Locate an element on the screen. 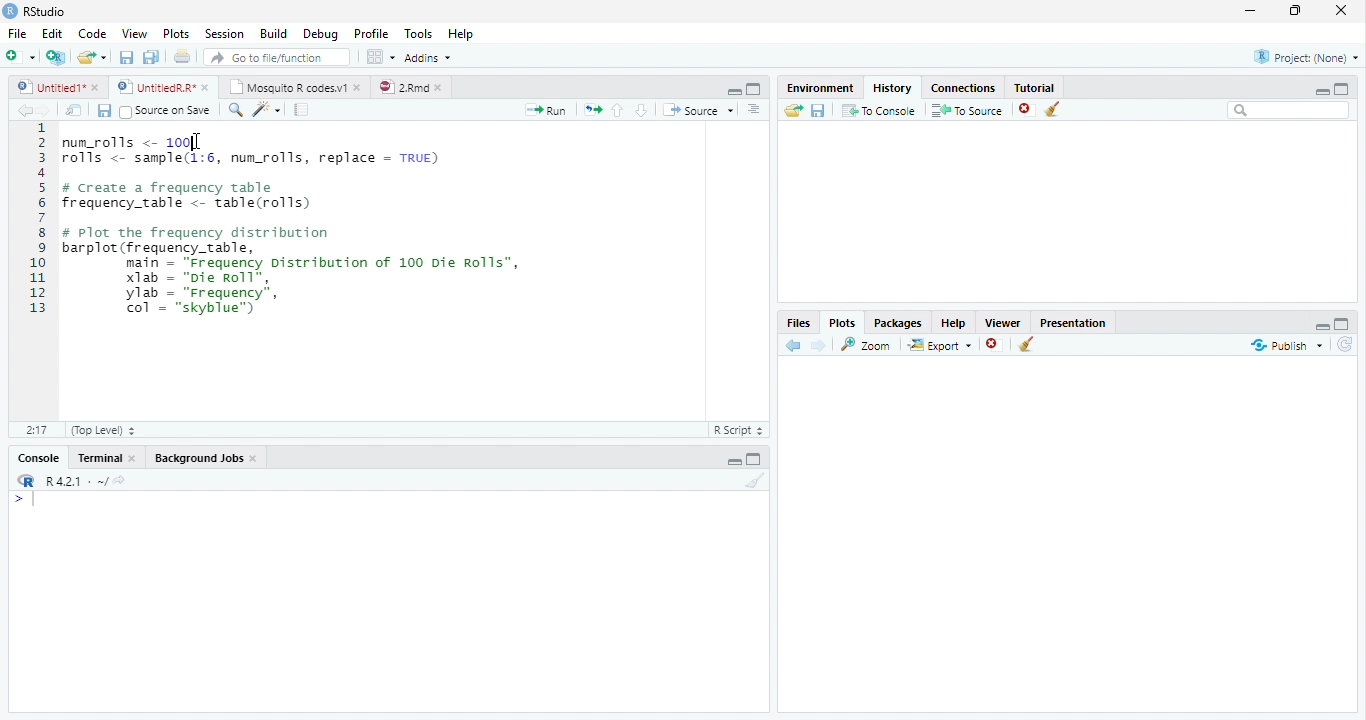 The width and height of the screenshot is (1366, 720). Viewer is located at coordinates (1002, 321).